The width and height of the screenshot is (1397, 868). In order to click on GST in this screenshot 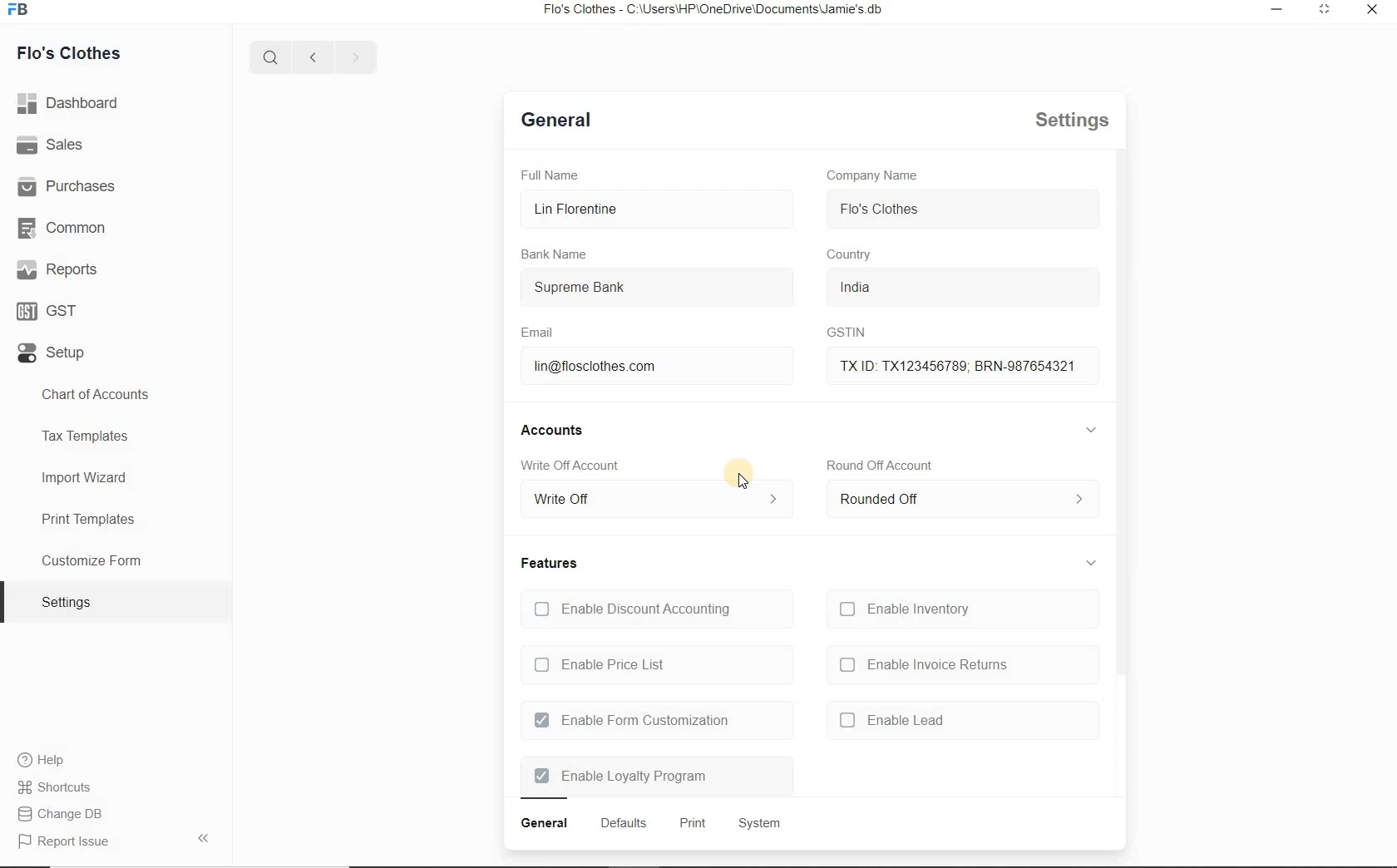, I will do `click(48, 311)`.